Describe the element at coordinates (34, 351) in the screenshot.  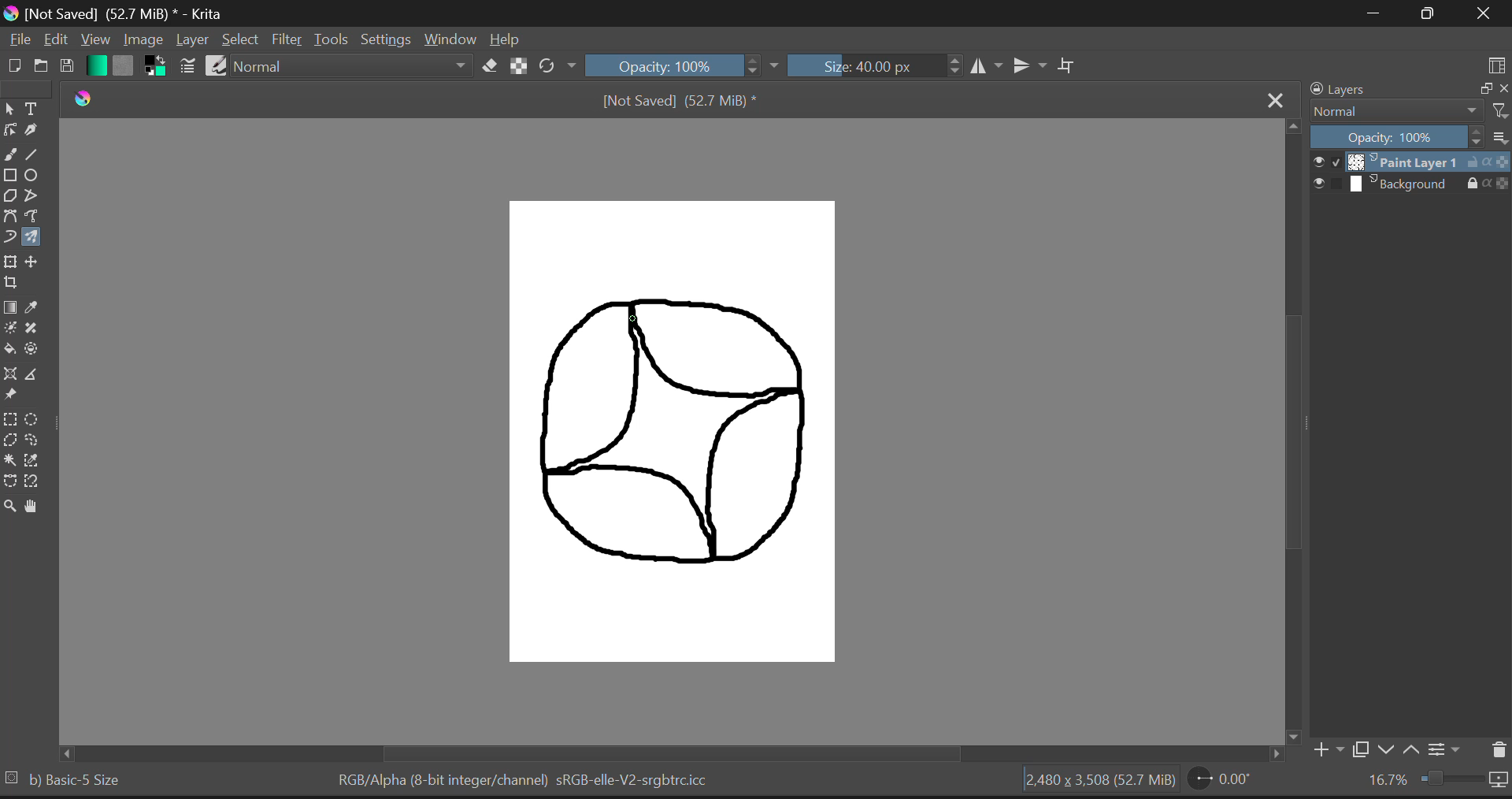
I see `Enclose and Fill` at that location.